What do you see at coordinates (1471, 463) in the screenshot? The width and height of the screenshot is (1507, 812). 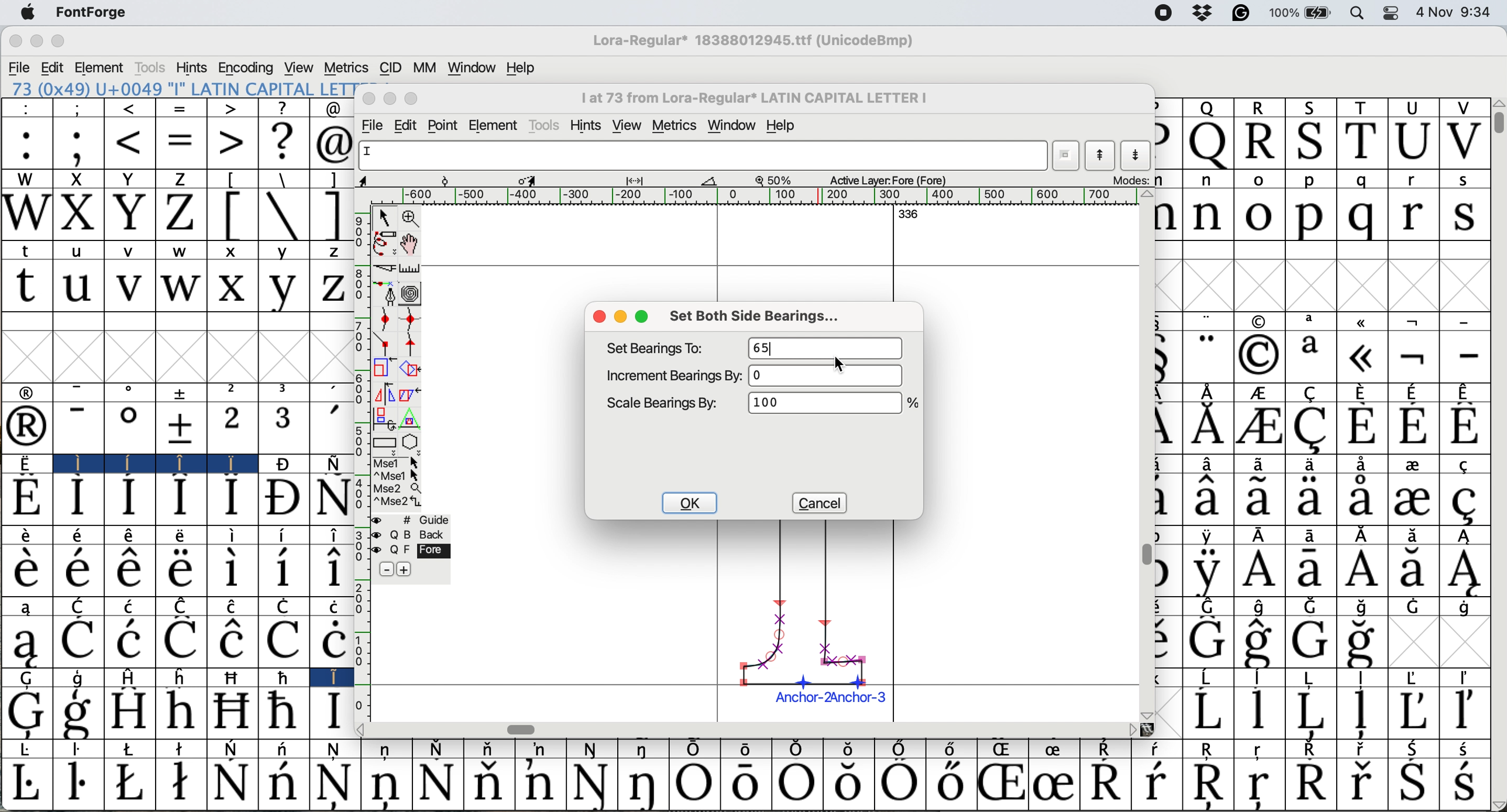 I see `Symbol` at bounding box center [1471, 463].